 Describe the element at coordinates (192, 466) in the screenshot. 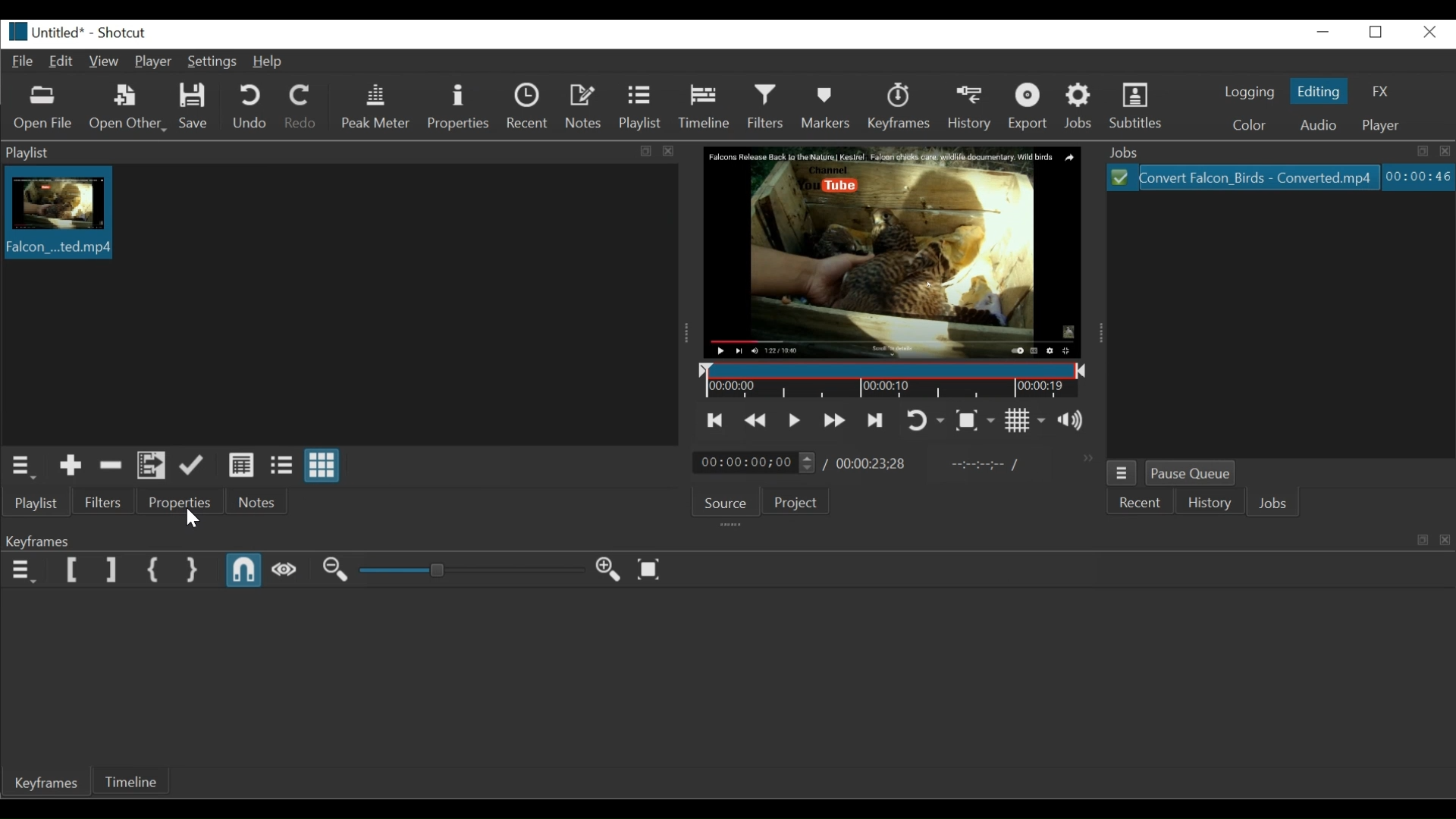

I see `Update` at that location.